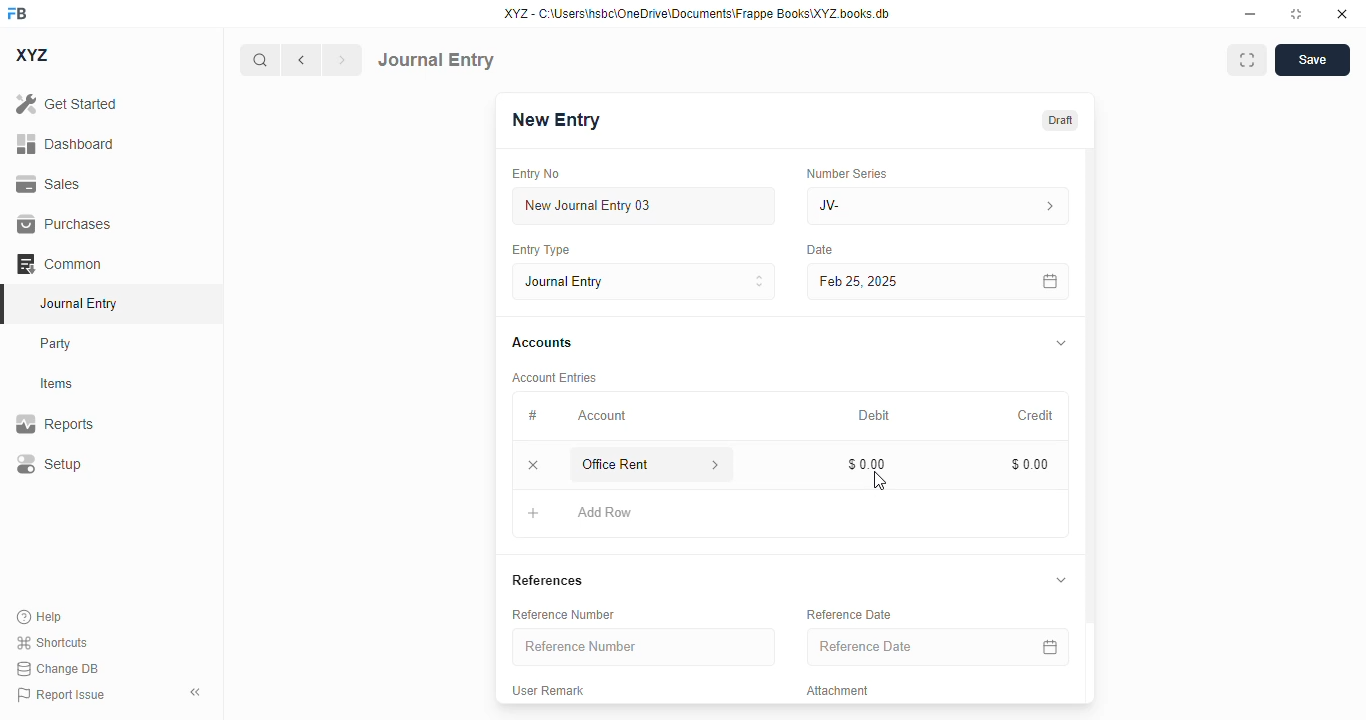 This screenshot has width=1366, height=720. Describe the element at coordinates (59, 264) in the screenshot. I see `common` at that location.